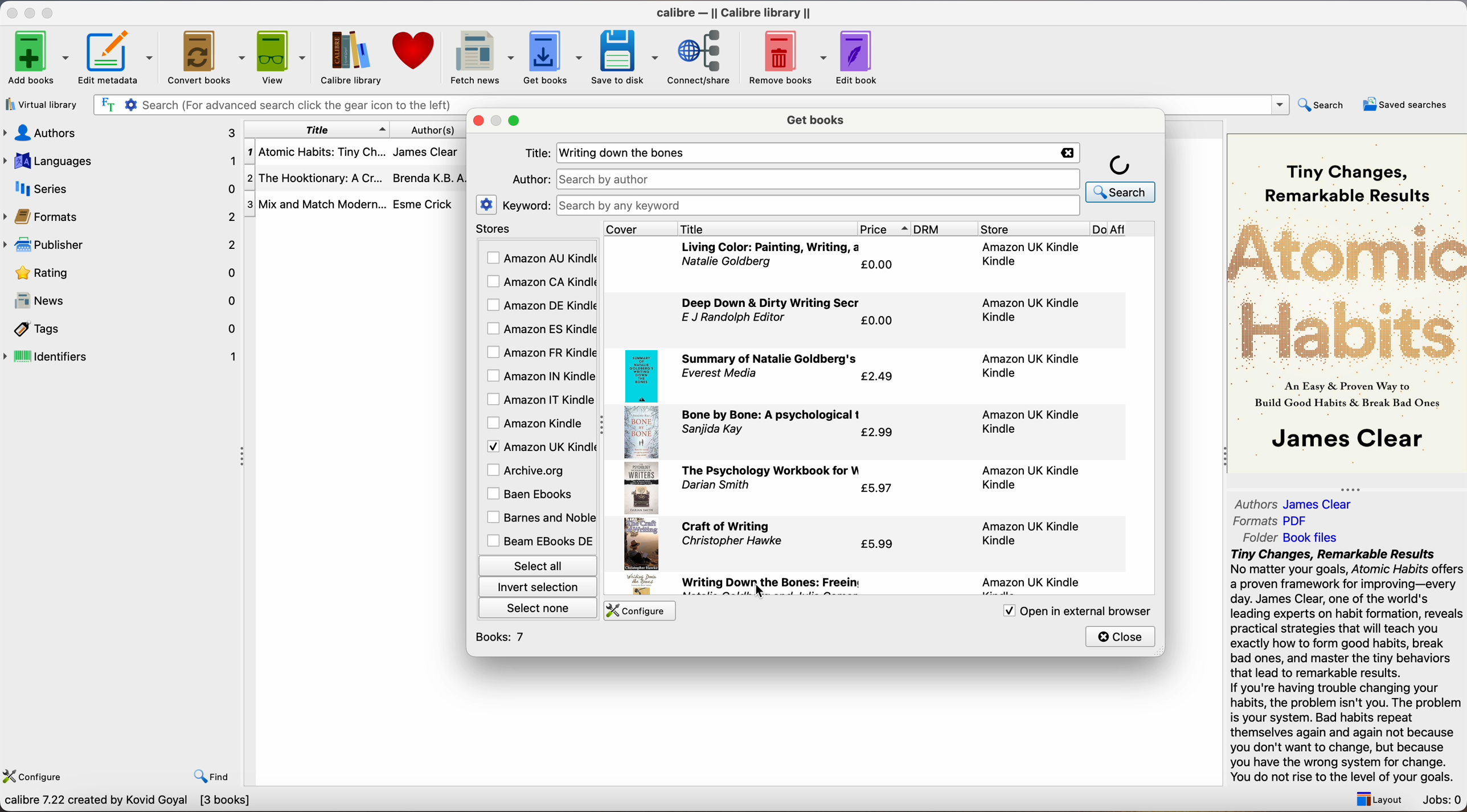  What do you see at coordinates (880, 543) in the screenshot?
I see `€5.99` at bounding box center [880, 543].